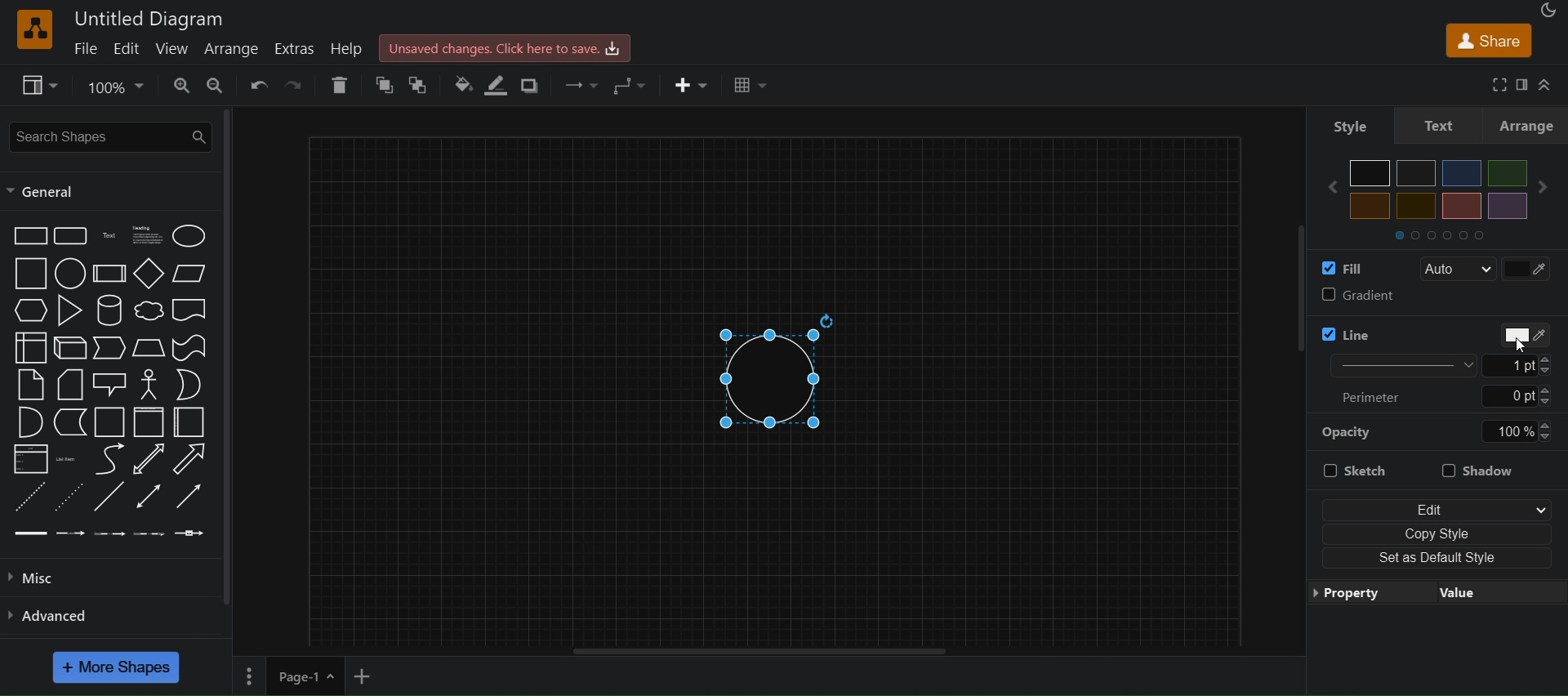  Describe the element at coordinates (33, 310) in the screenshot. I see `hexagon` at that location.